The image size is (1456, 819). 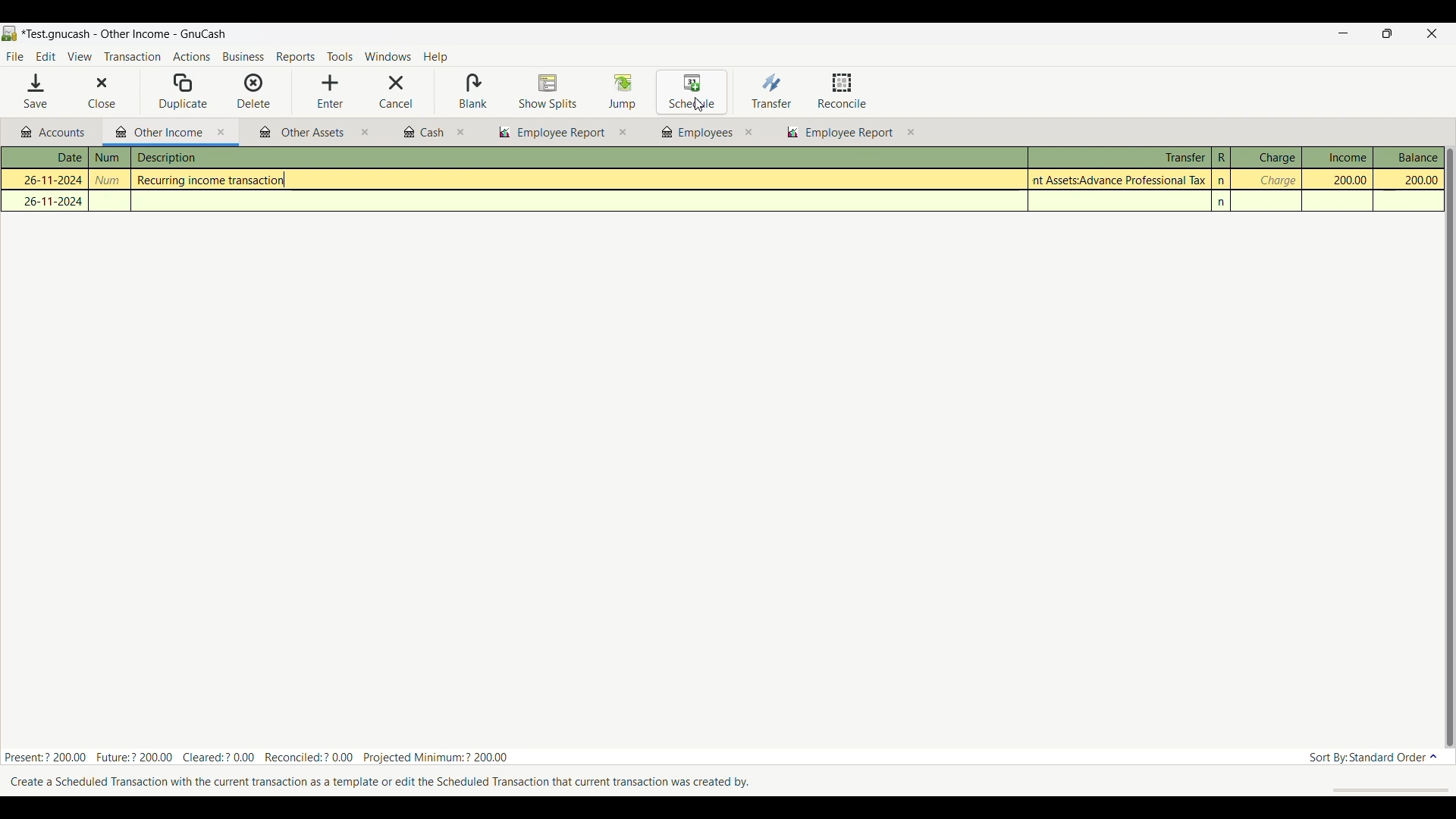 What do you see at coordinates (1266, 158) in the screenshot?
I see `Charge column` at bounding box center [1266, 158].